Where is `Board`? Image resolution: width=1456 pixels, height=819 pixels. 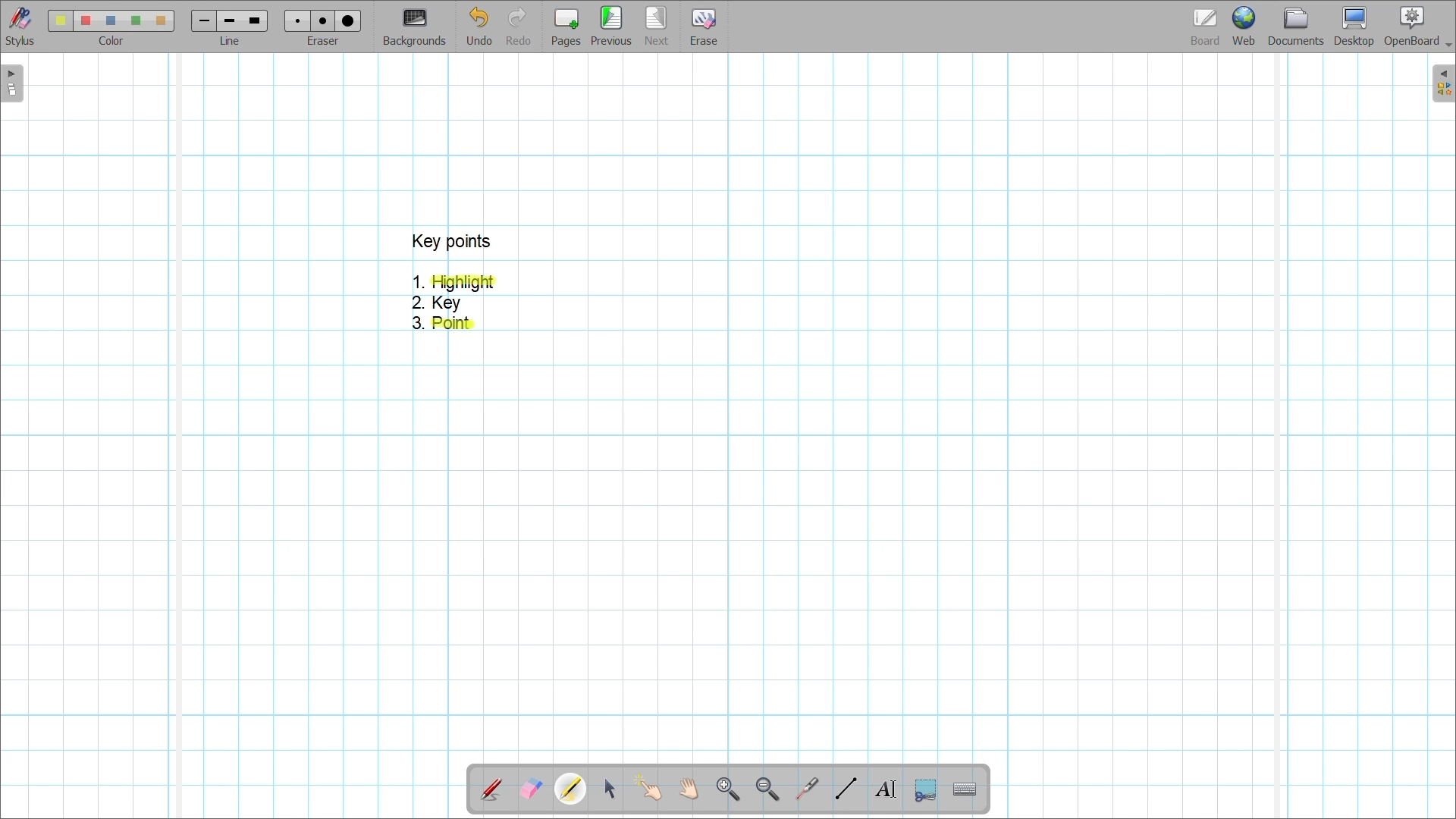 Board is located at coordinates (1206, 27).